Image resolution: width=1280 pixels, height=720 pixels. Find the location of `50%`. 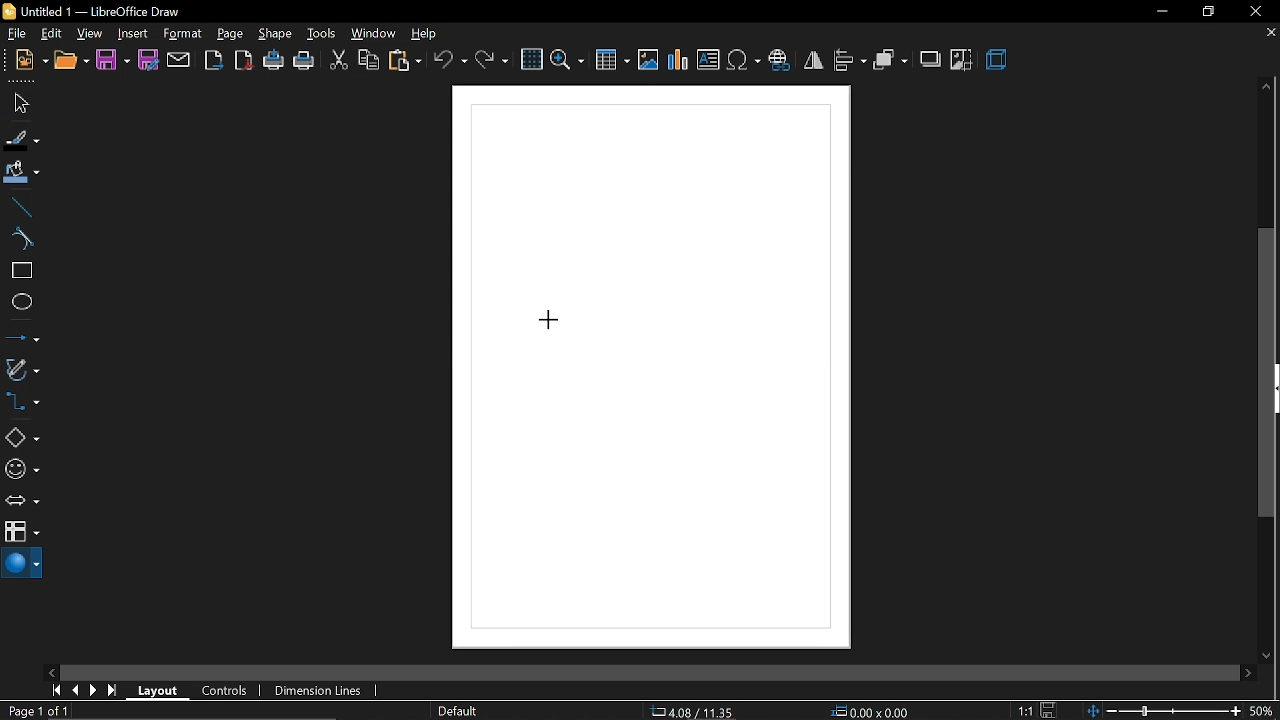

50% is located at coordinates (1264, 710).